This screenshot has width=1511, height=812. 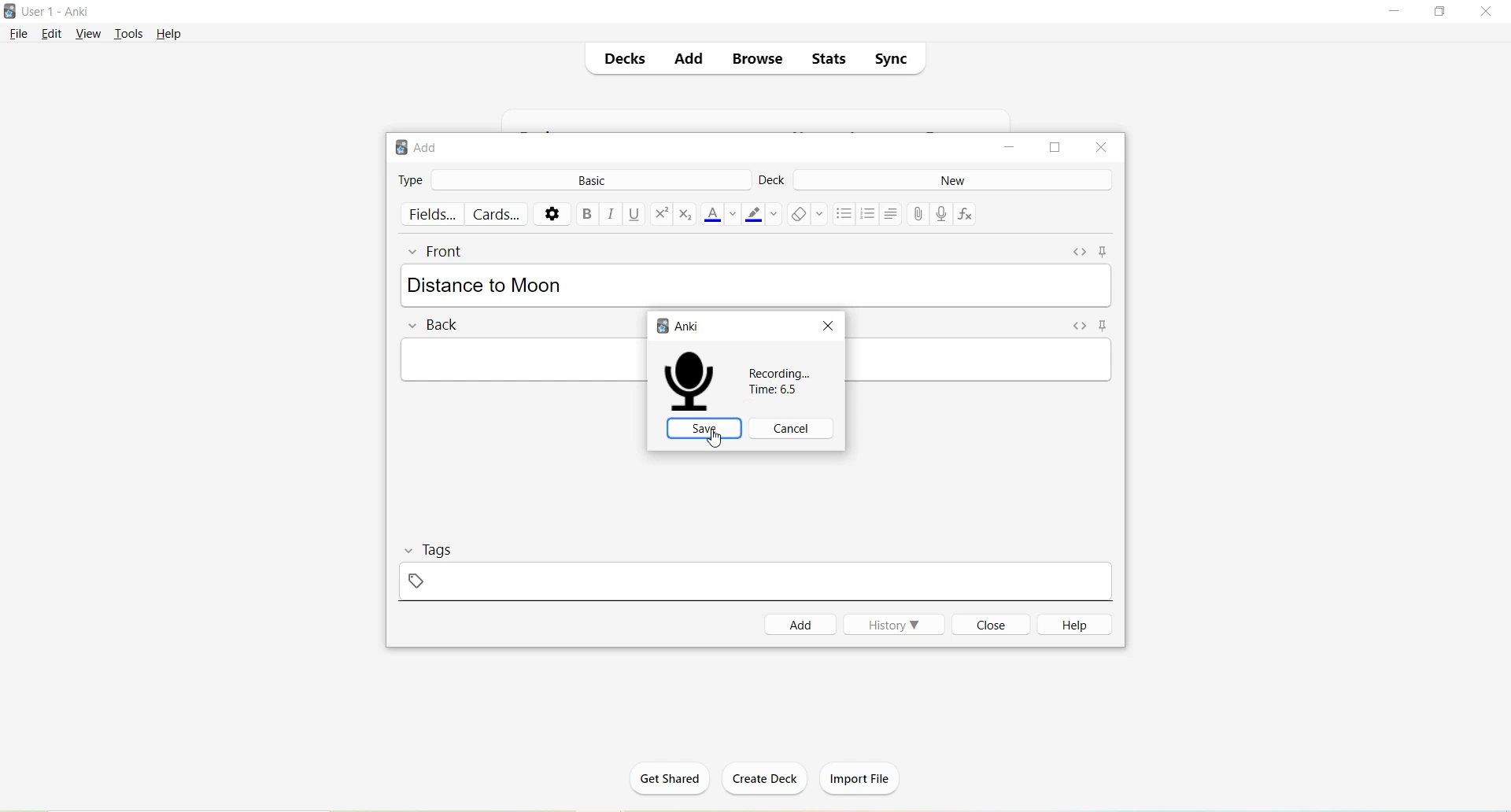 What do you see at coordinates (968, 216) in the screenshot?
I see `Equations` at bounding box center [968, 216].